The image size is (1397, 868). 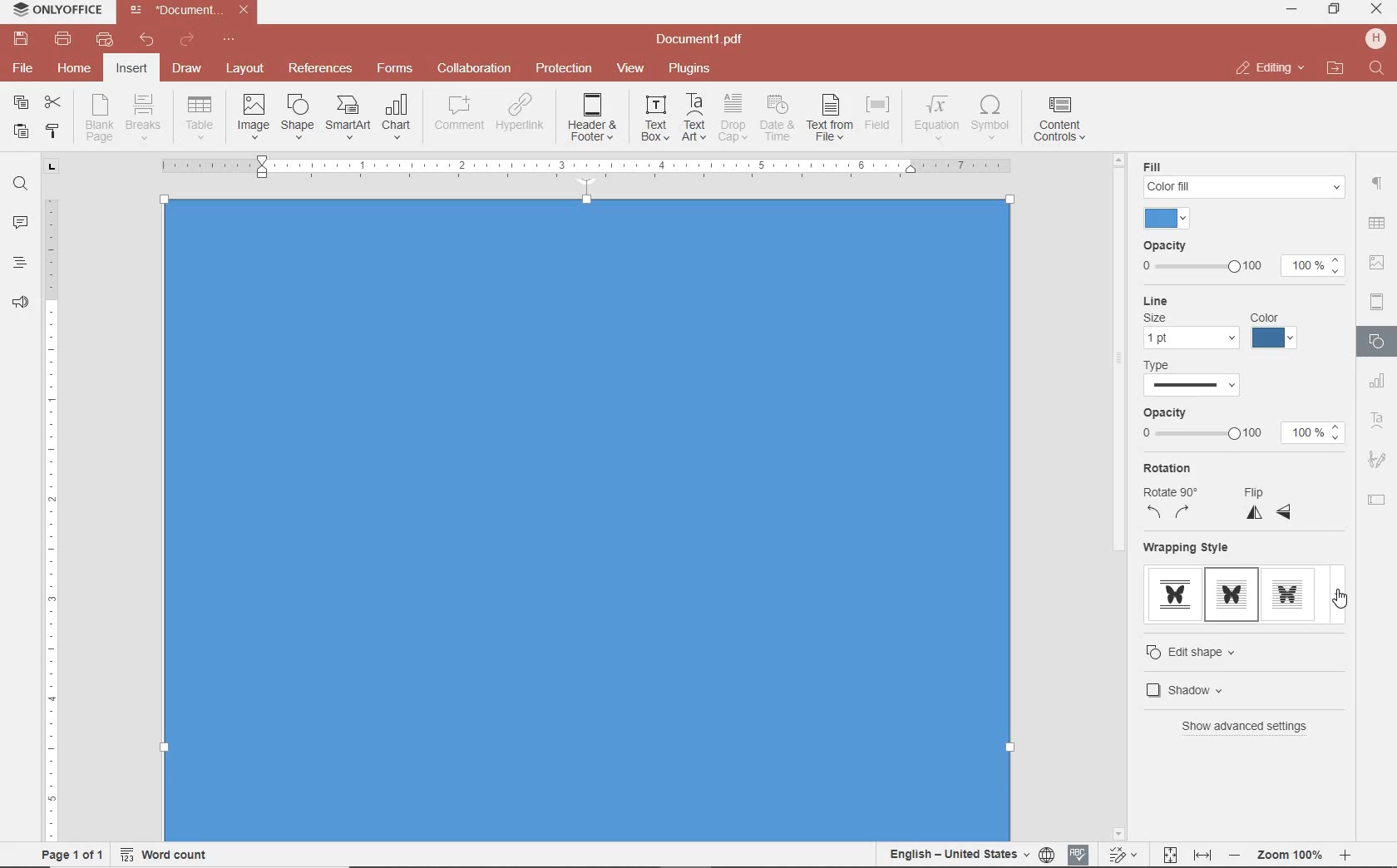 What do you see at coordinates (1223, 322) in the screenshot?
I see `LINE SETTINGS` at bounding box center [1223, 322].